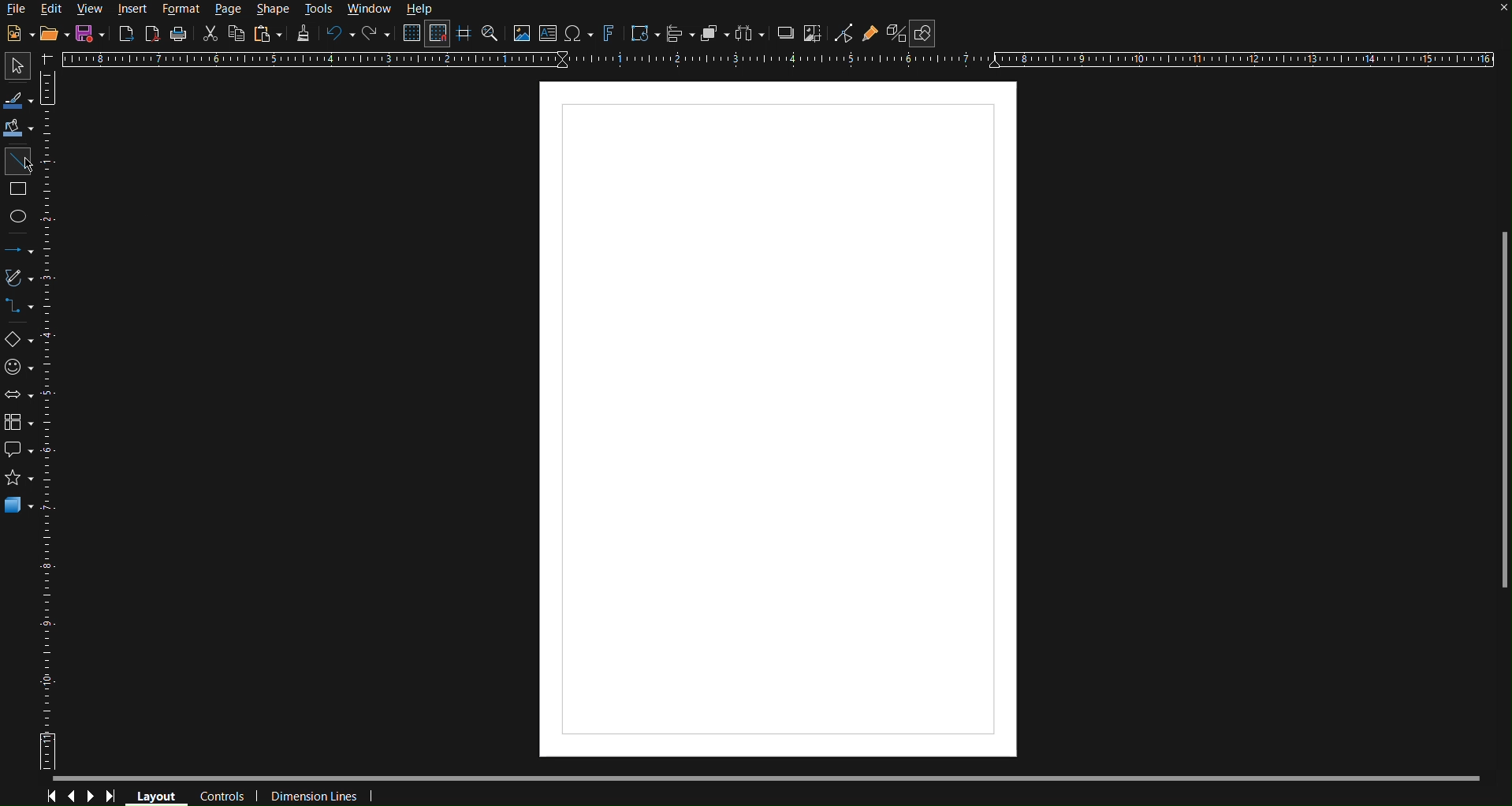 The height and width of the screenshot is (806, 1512). Describe the element at coordinates (19, 423) in the screenshot. I see `Flowcharts` at that location.